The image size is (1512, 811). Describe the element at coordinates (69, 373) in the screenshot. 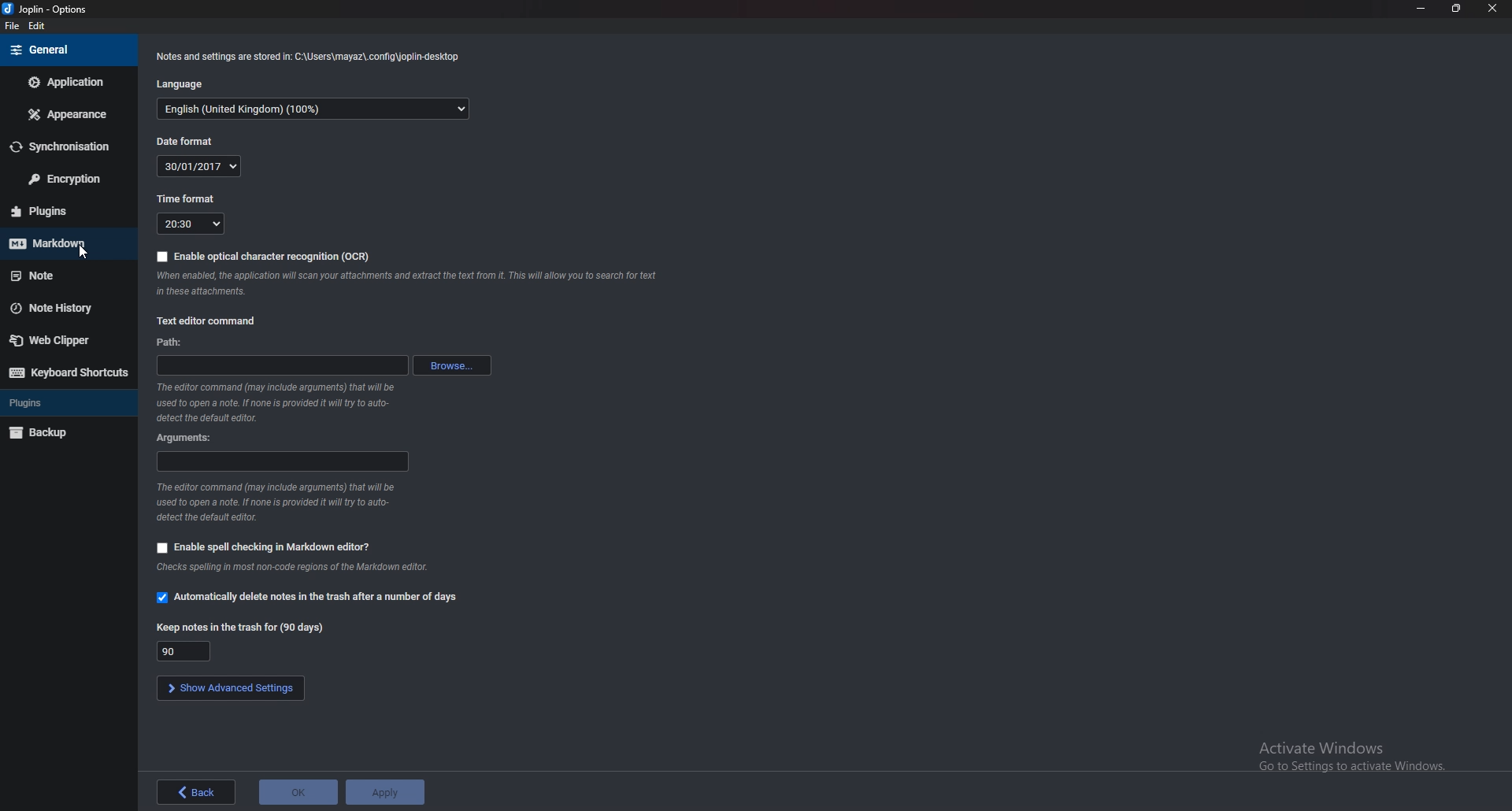

I see `keyboard shortcuts` at that location.